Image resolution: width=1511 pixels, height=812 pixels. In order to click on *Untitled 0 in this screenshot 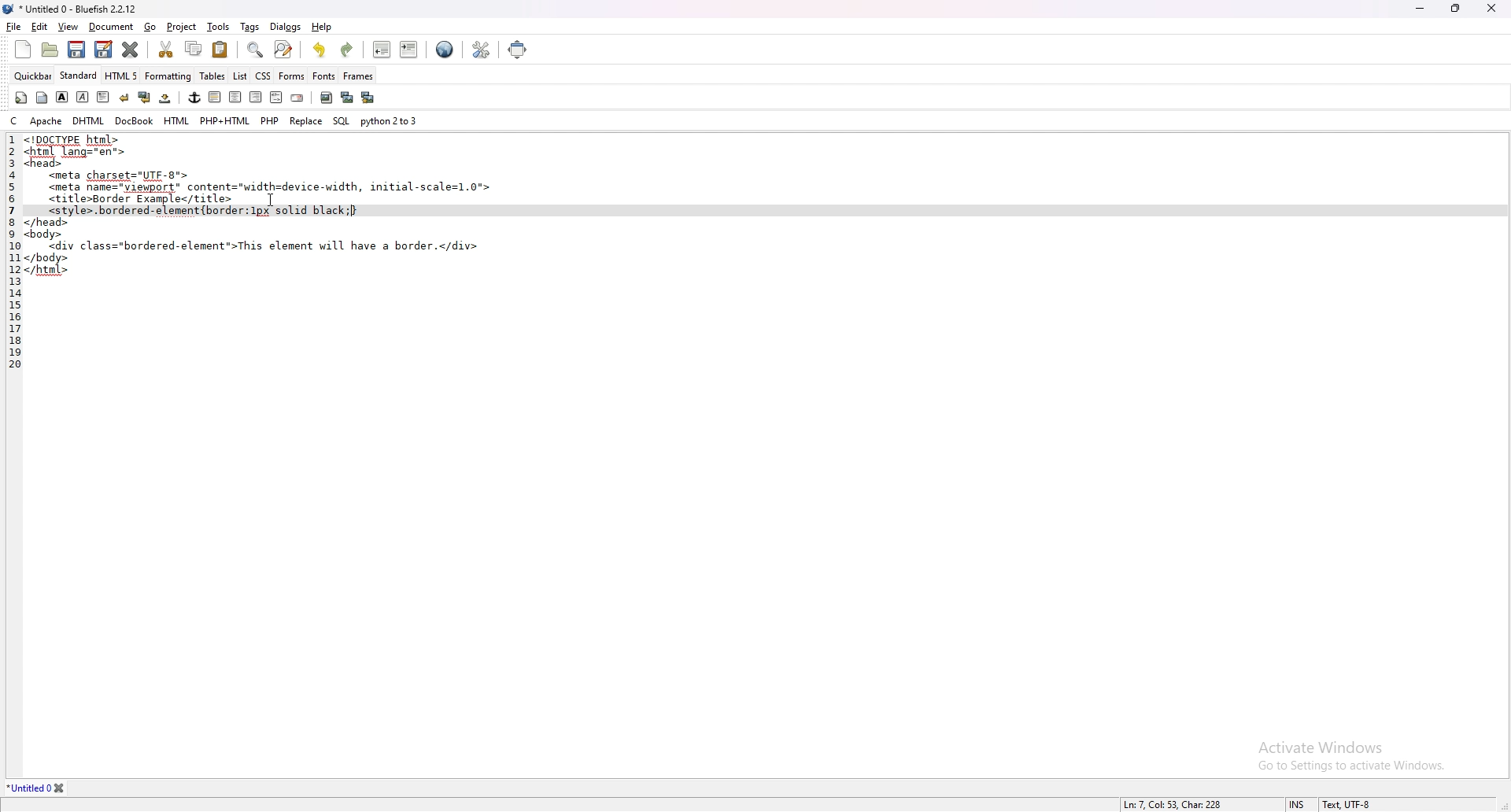, I will do `click(38, 788)`.